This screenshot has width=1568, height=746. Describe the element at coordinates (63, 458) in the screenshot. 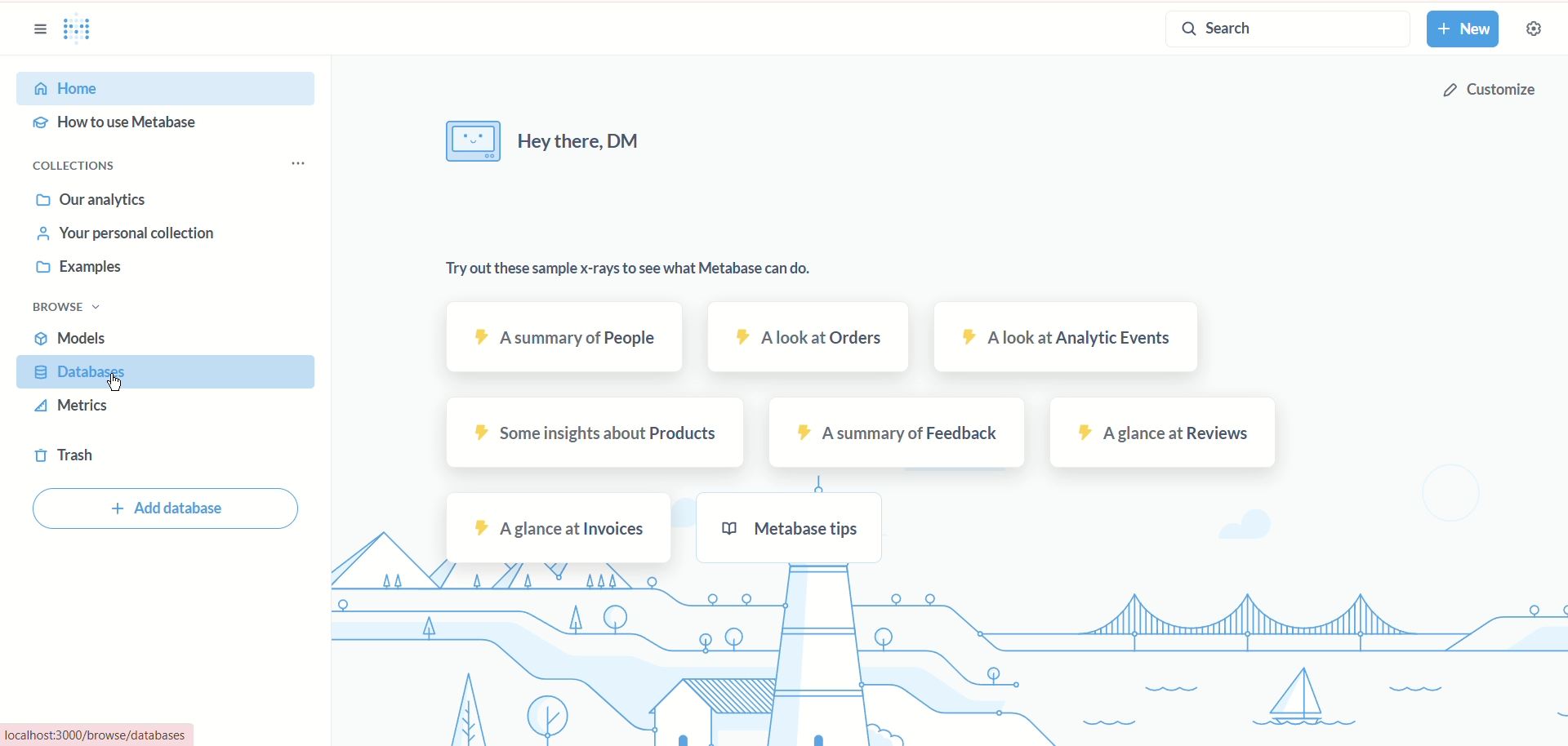

I see `trash` at that location.